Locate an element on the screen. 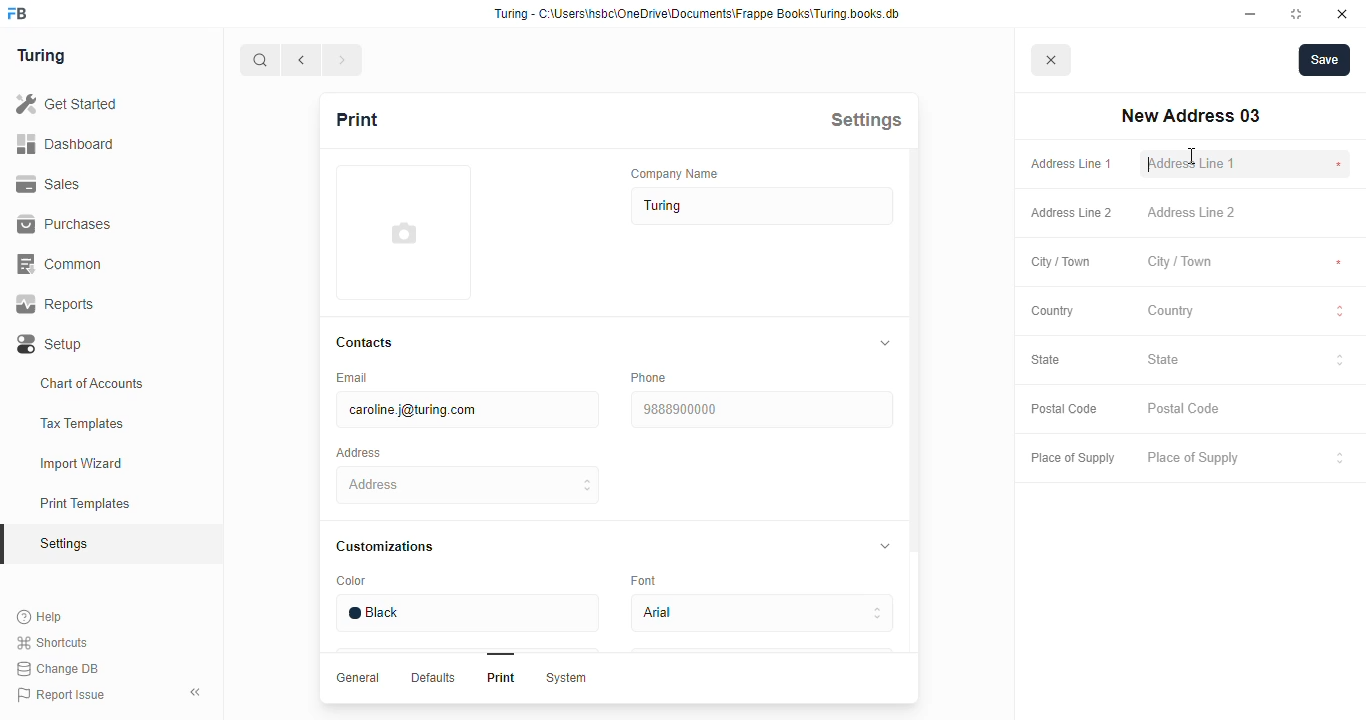  purchases is located at coordinates (64, 224).